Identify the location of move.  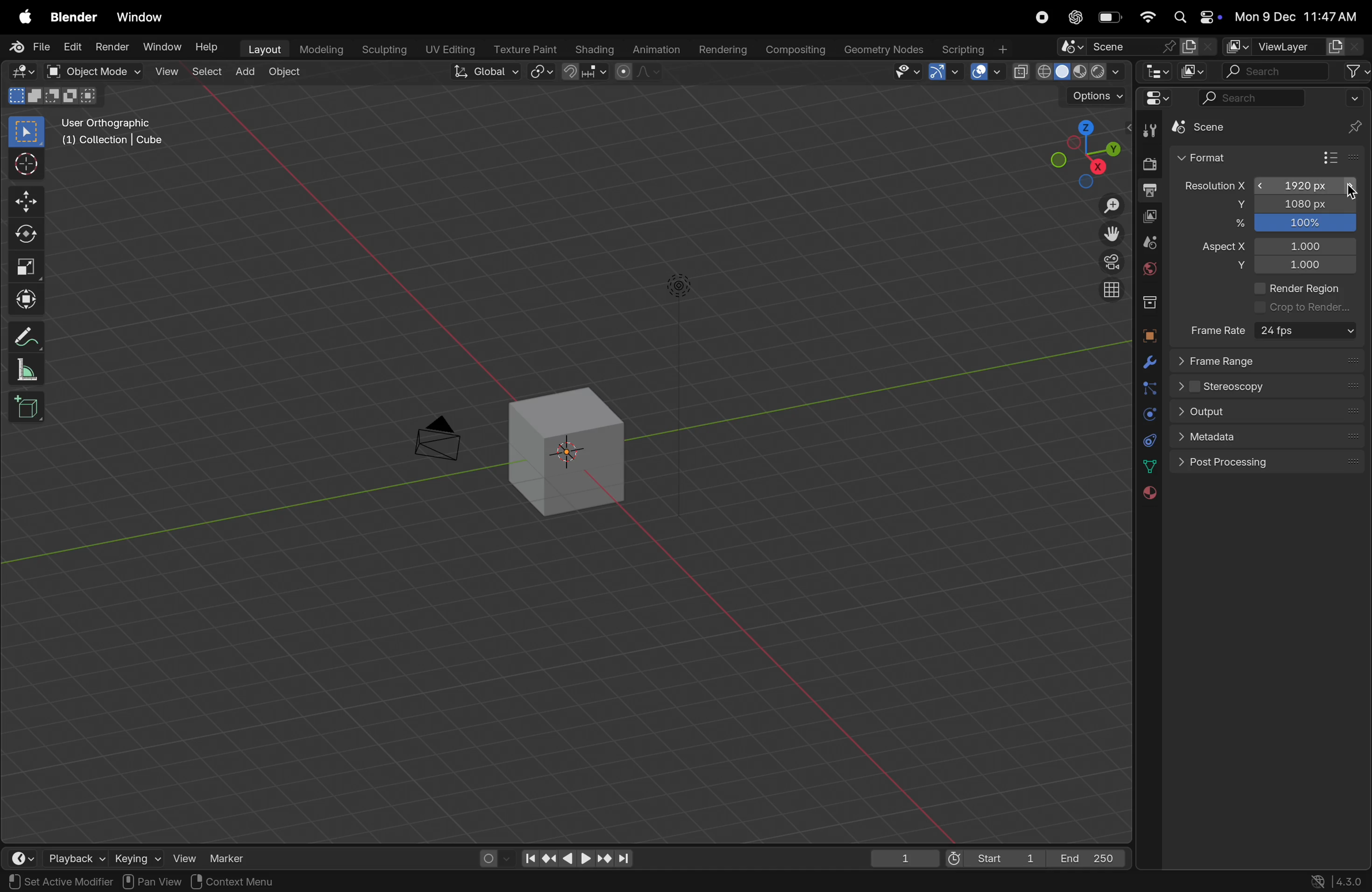
(22, 201).